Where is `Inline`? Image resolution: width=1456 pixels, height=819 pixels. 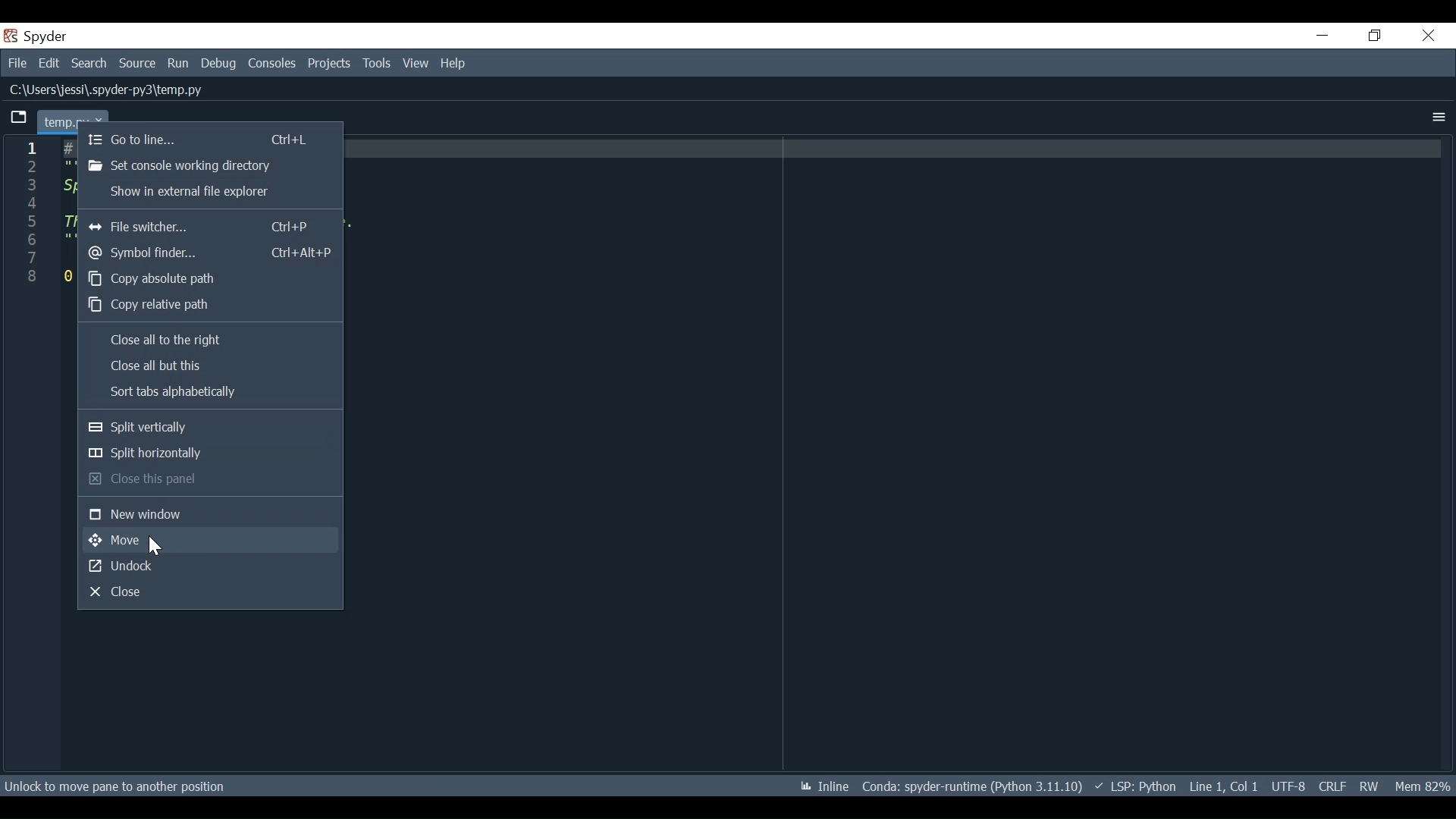 Inline is located at coordinates (814, 786).